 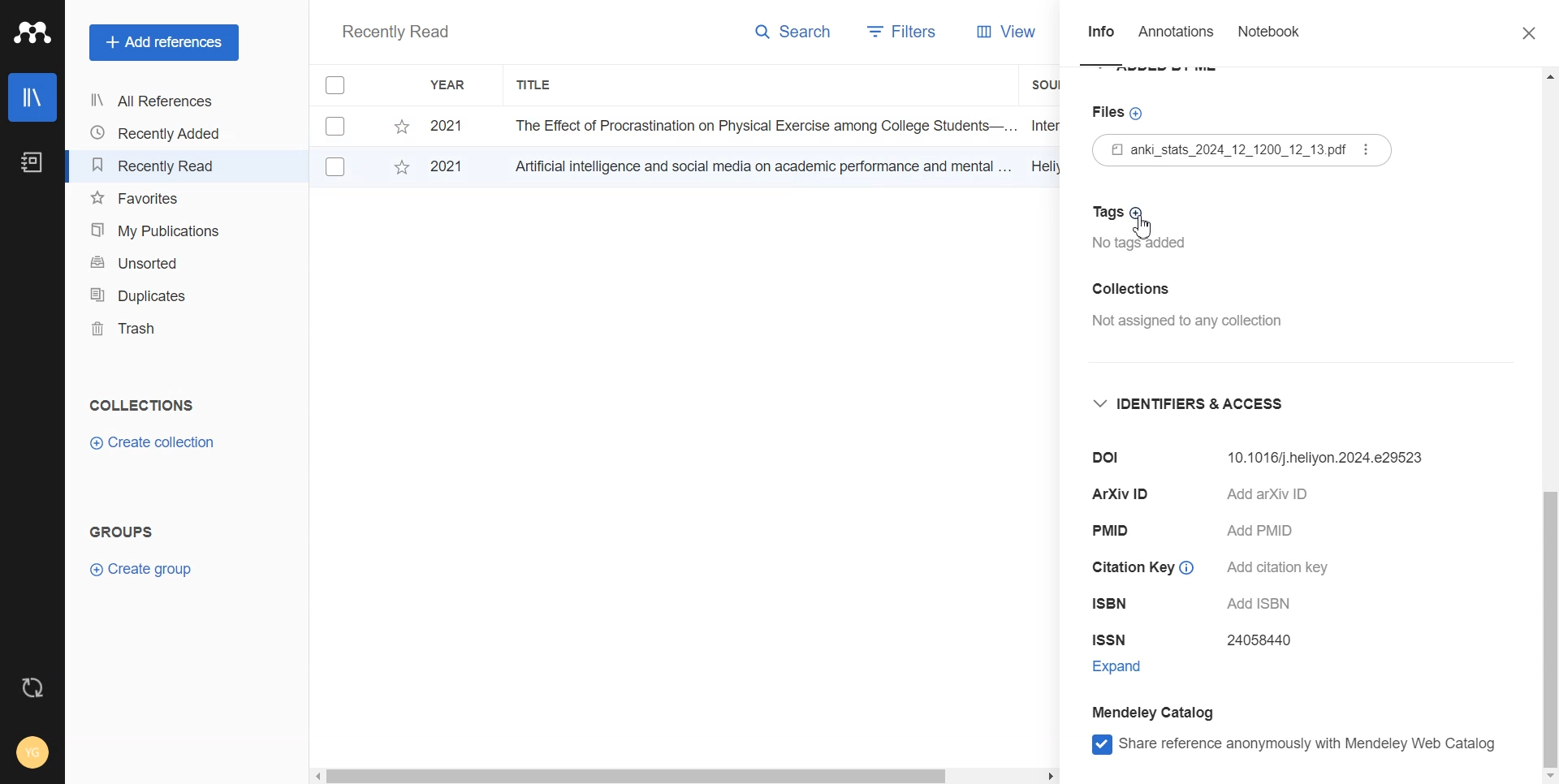 I want to click on ISBN Add ISBN, so click(x=1196, y=606).